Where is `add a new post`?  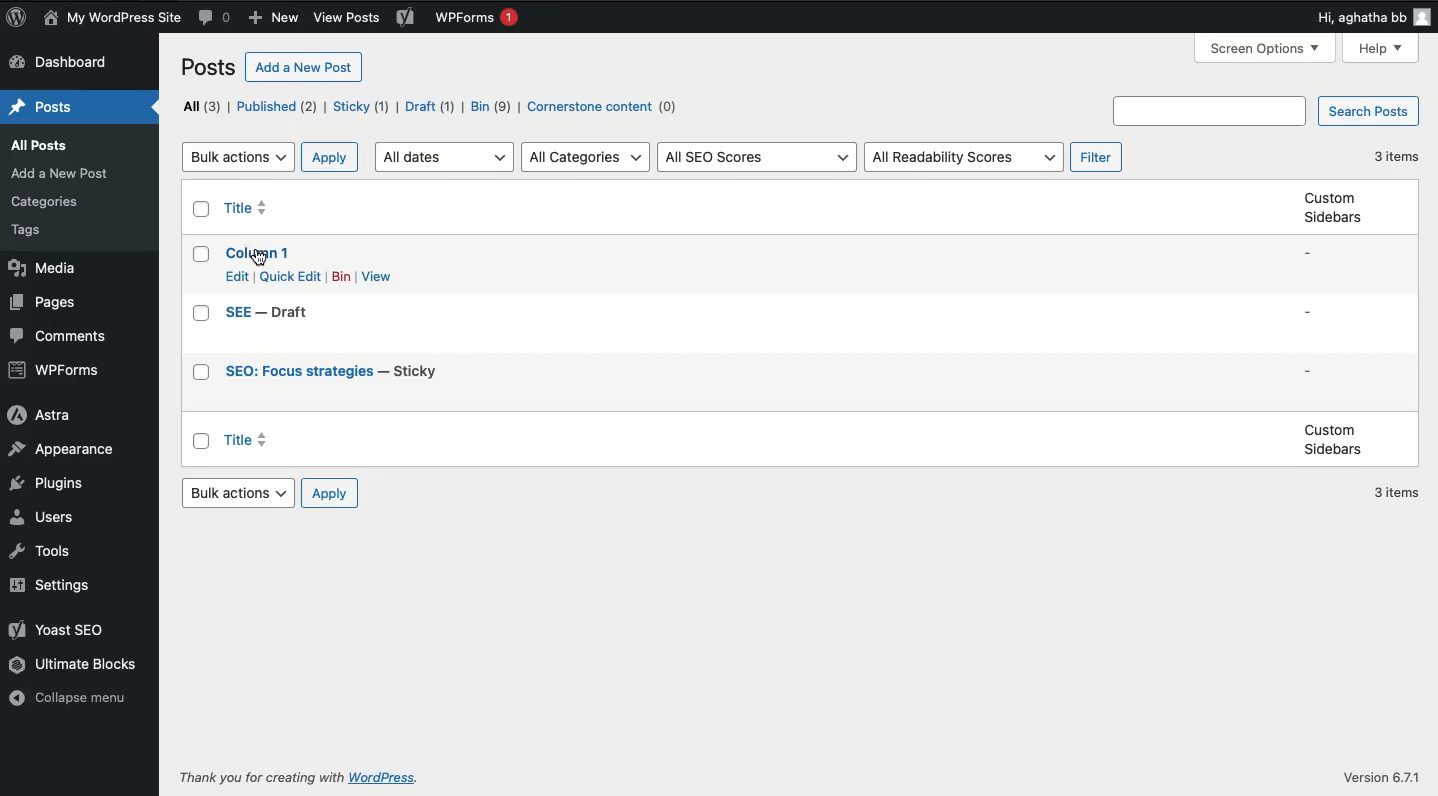 add a new post is located at coordinates (61, 174).